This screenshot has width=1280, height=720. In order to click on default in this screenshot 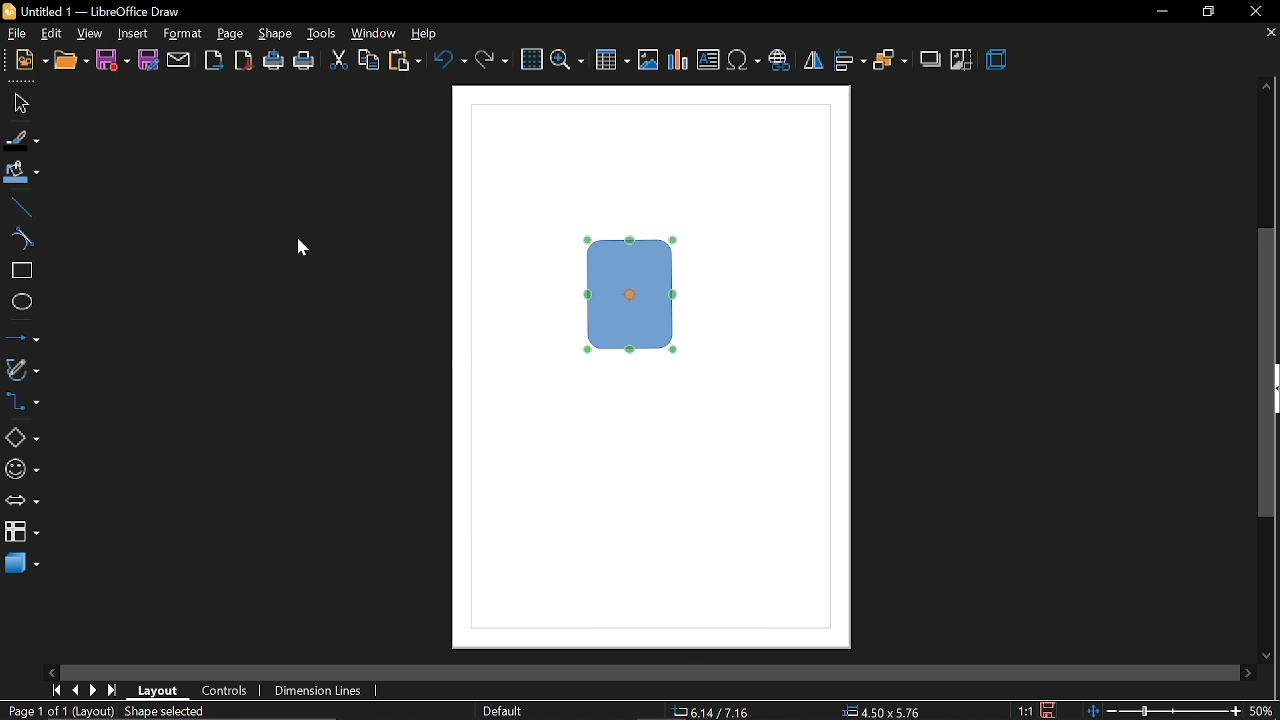, I will do `click(503, 711)`.